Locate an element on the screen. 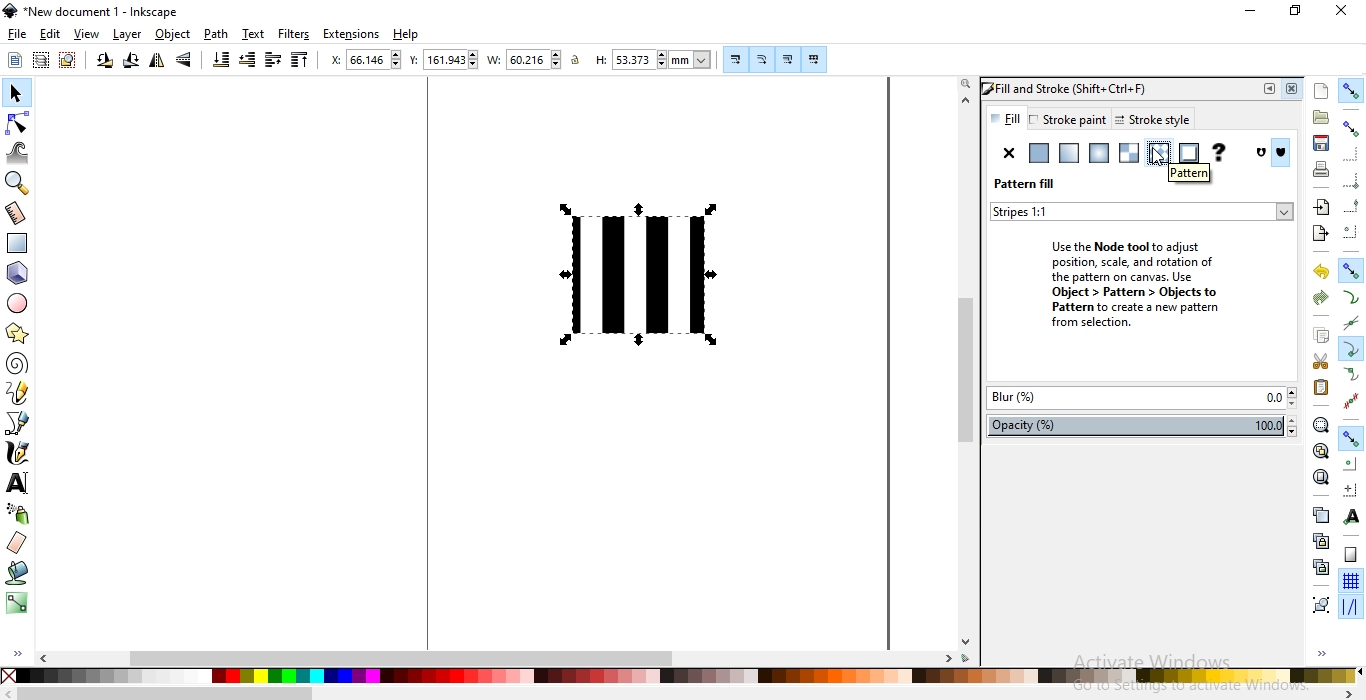 This screenshot has height=700, width=1366. help is located at coordinates (406, 35).